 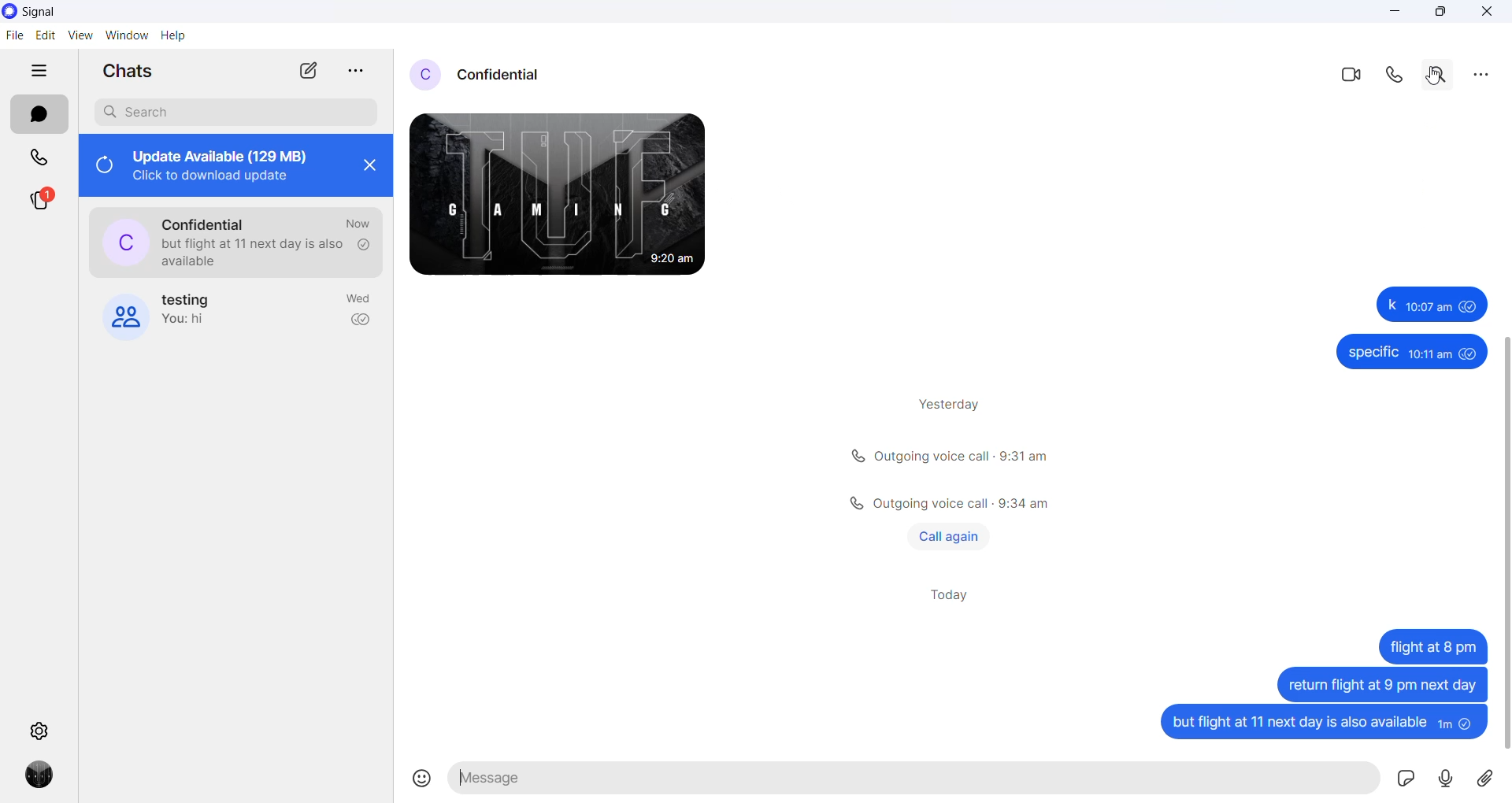 I want to click on message text area, so click(x=918, y=779).